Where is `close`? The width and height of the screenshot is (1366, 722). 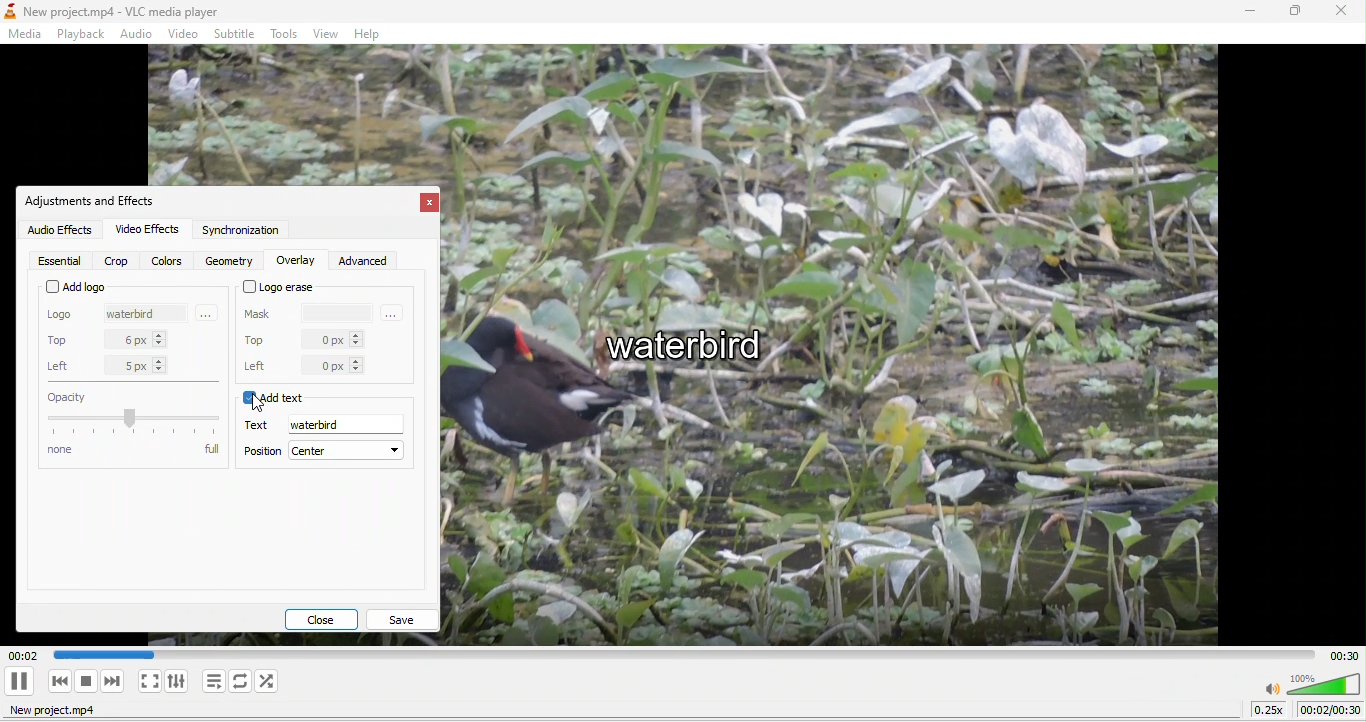 close is located at coordinates (1342, 14).